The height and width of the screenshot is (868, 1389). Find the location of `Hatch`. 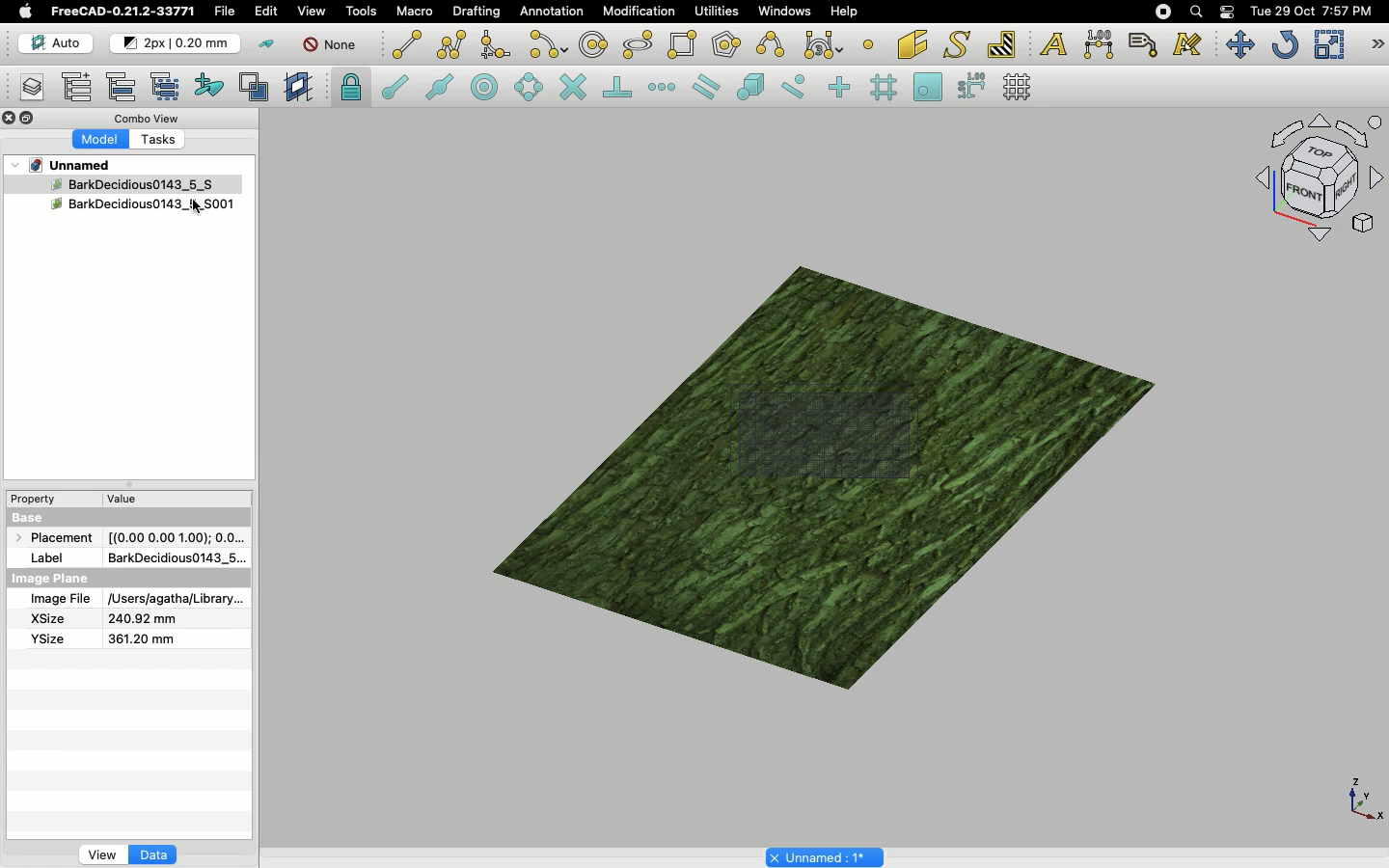

Hatch is located at coordinates (1002, 44).